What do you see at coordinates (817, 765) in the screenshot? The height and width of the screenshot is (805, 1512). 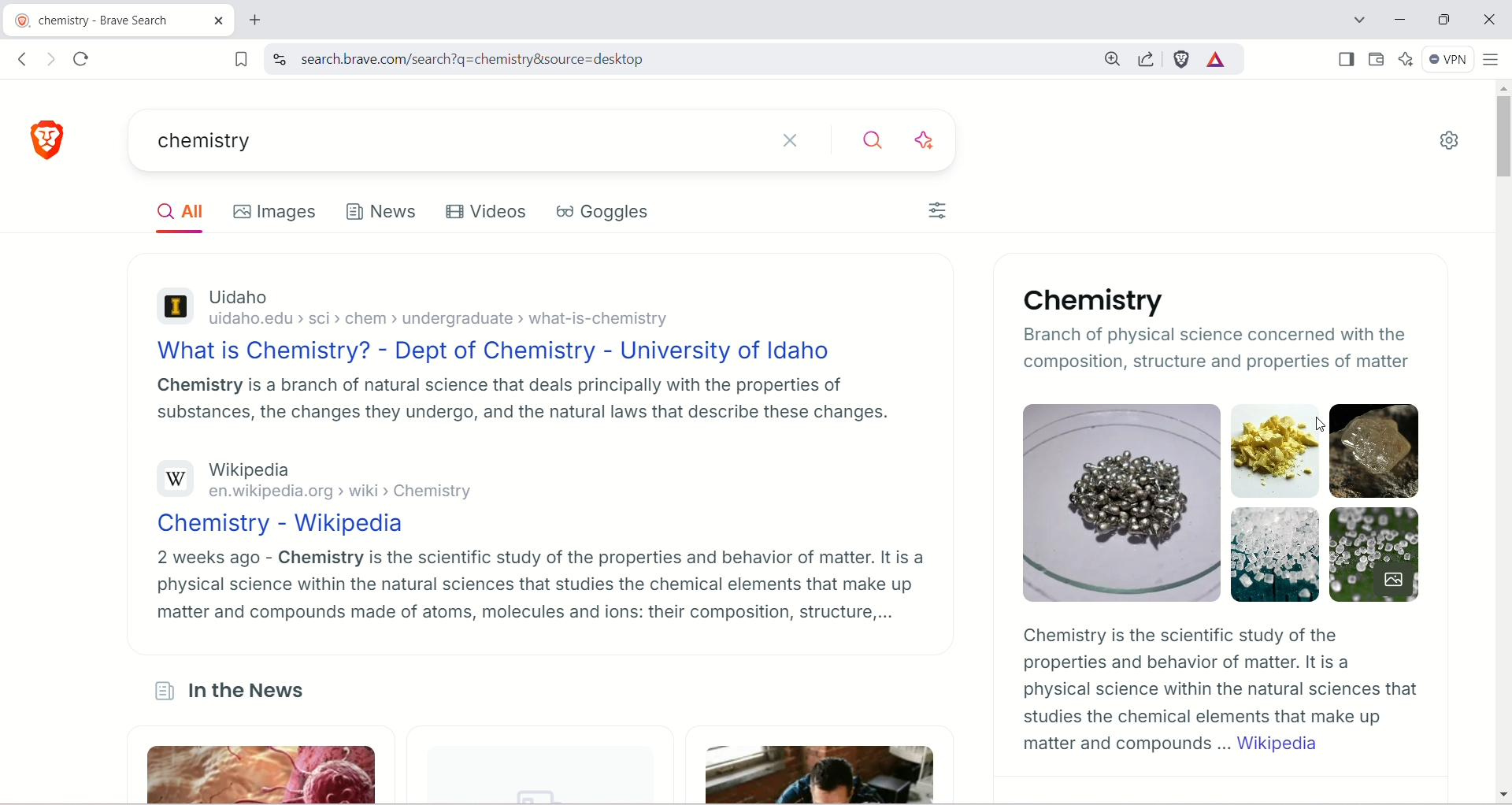 I see `person reading a book image` at bounding box center [817, 765].